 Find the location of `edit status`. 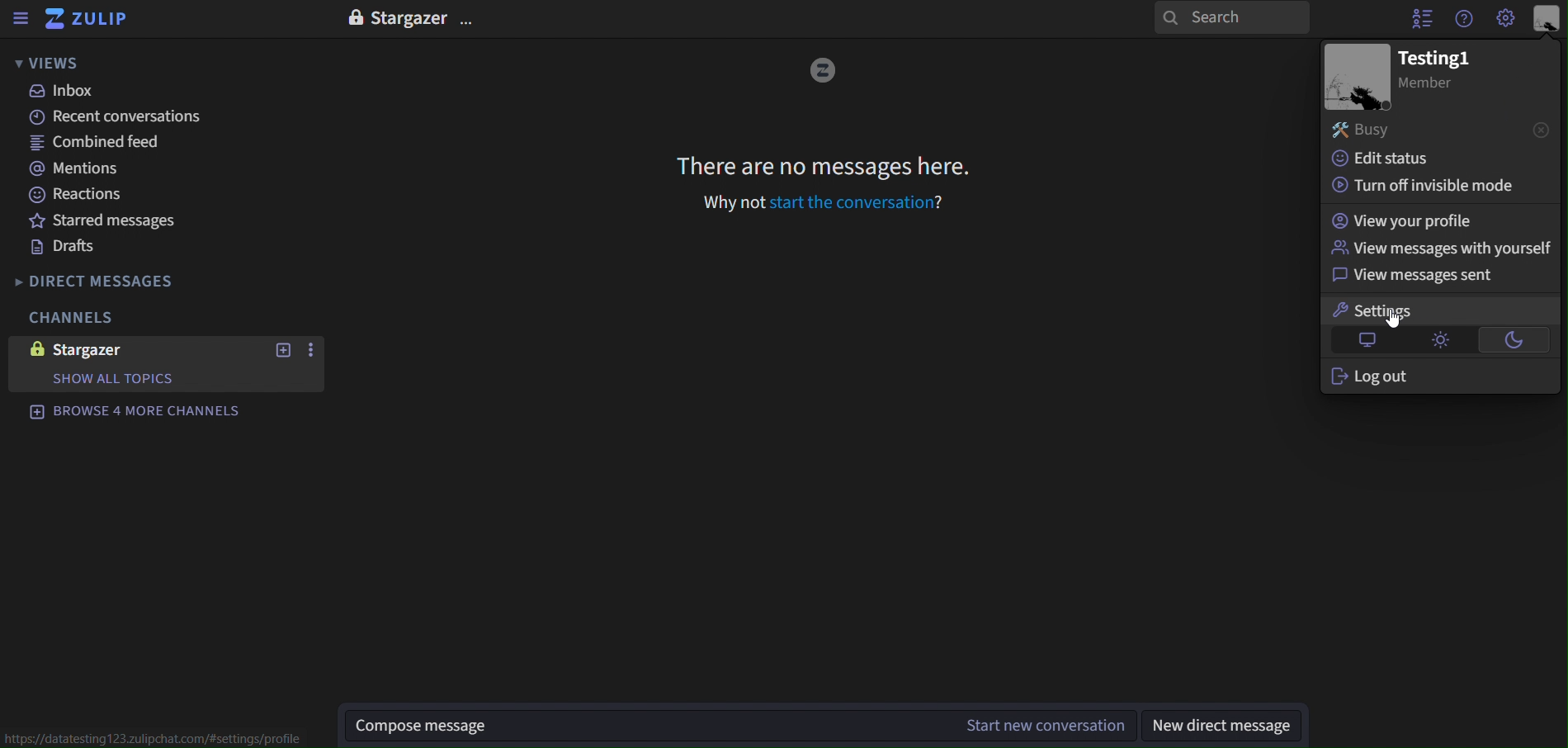

edit status is located at coordinates (1419, 159).